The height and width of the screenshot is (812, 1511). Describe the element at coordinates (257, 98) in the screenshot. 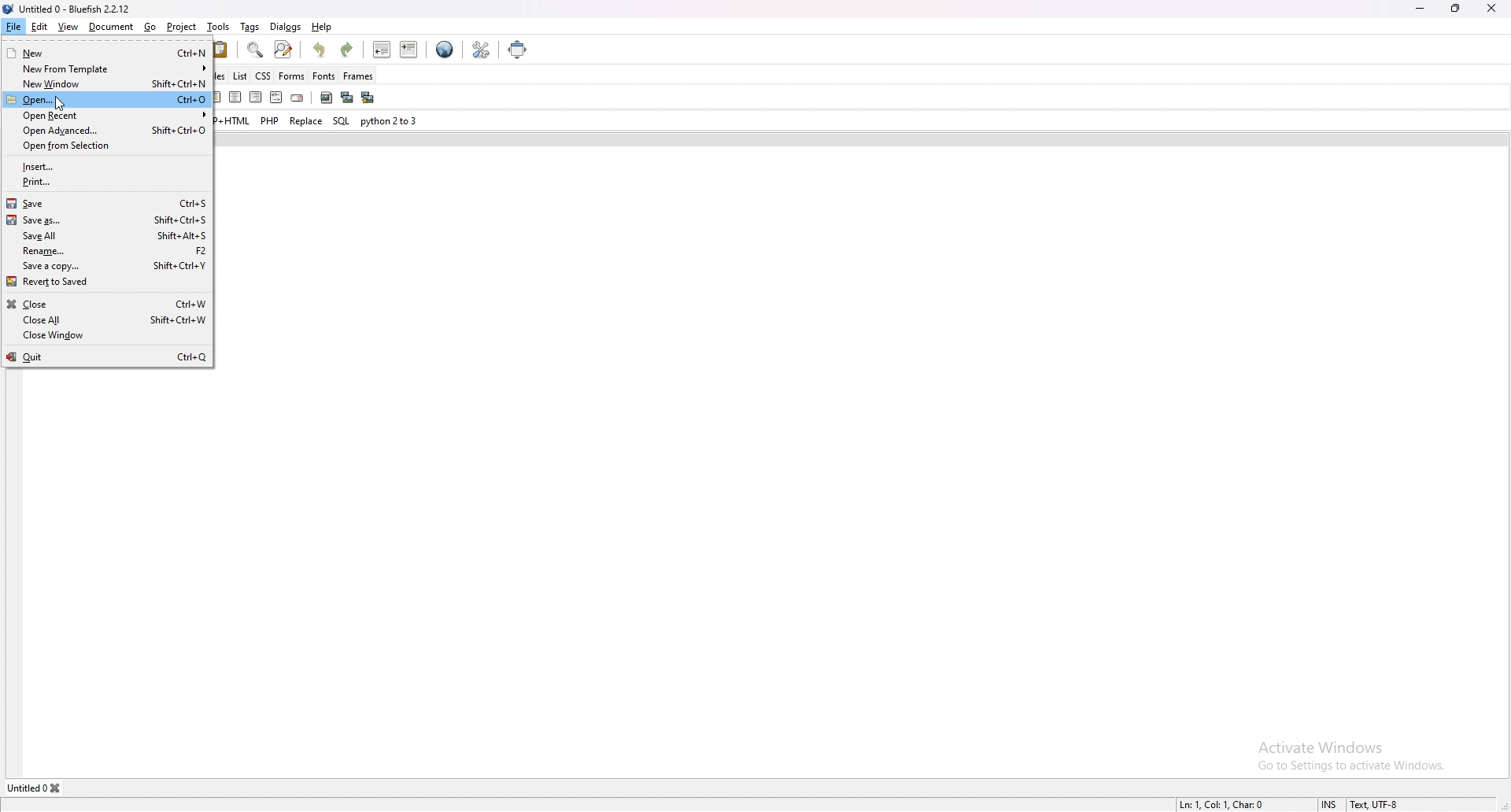

I see `right justify` at that location.